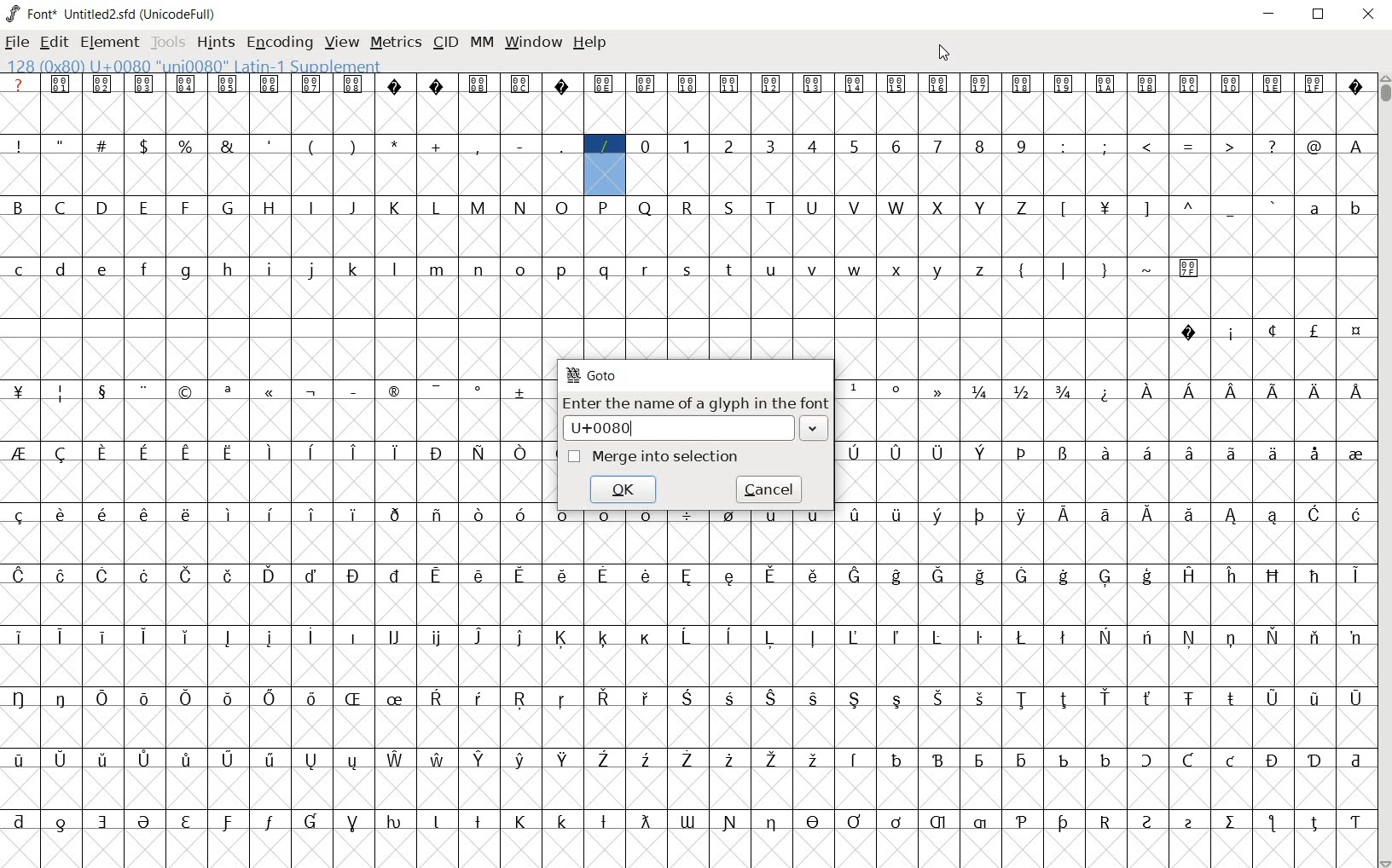  I want to click on glyph, so click(1190, 575).